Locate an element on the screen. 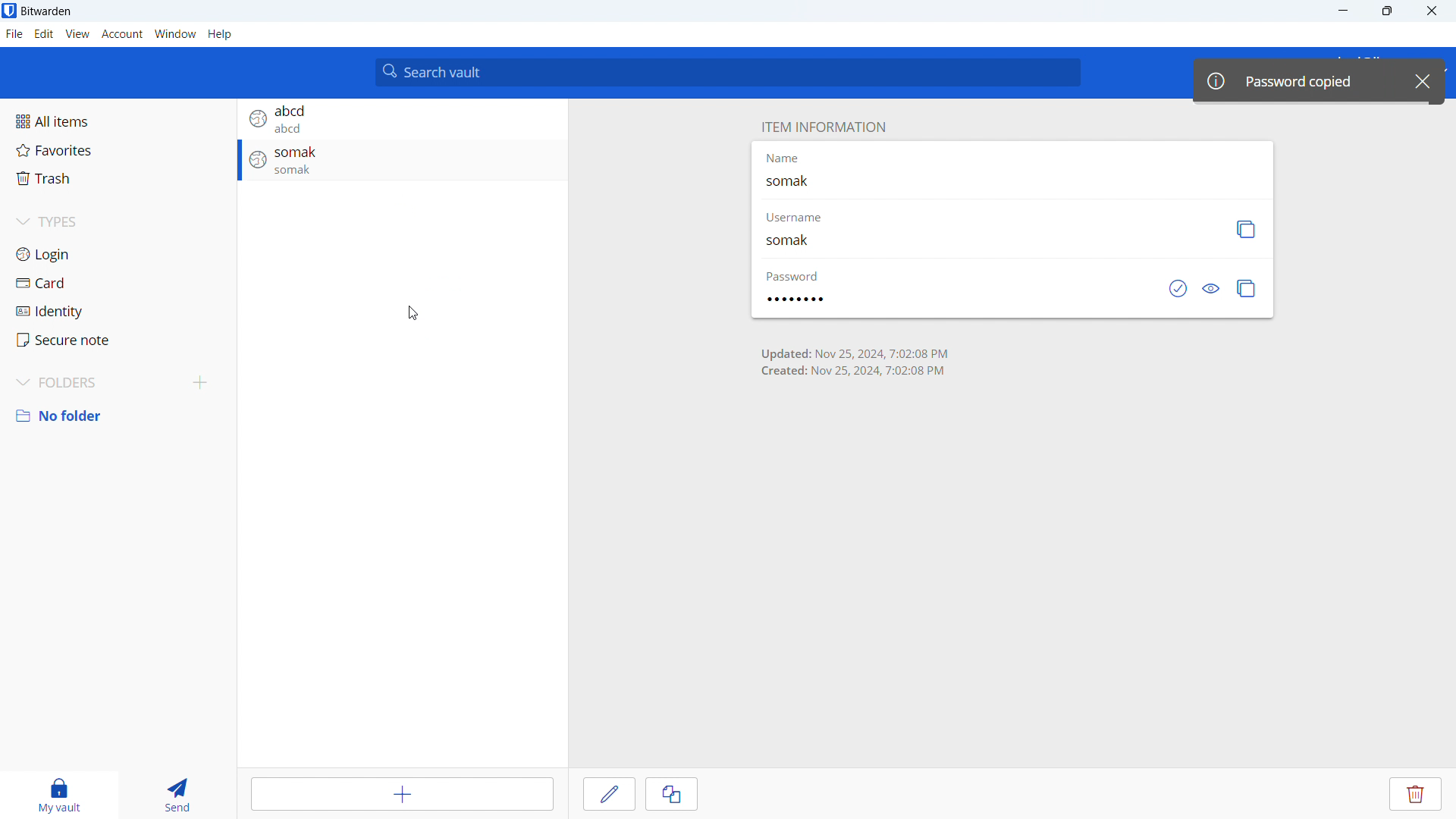 Image resolution: width=1456 pixels, height=819 pixels. minimize is located at coordinates (1341, 11).